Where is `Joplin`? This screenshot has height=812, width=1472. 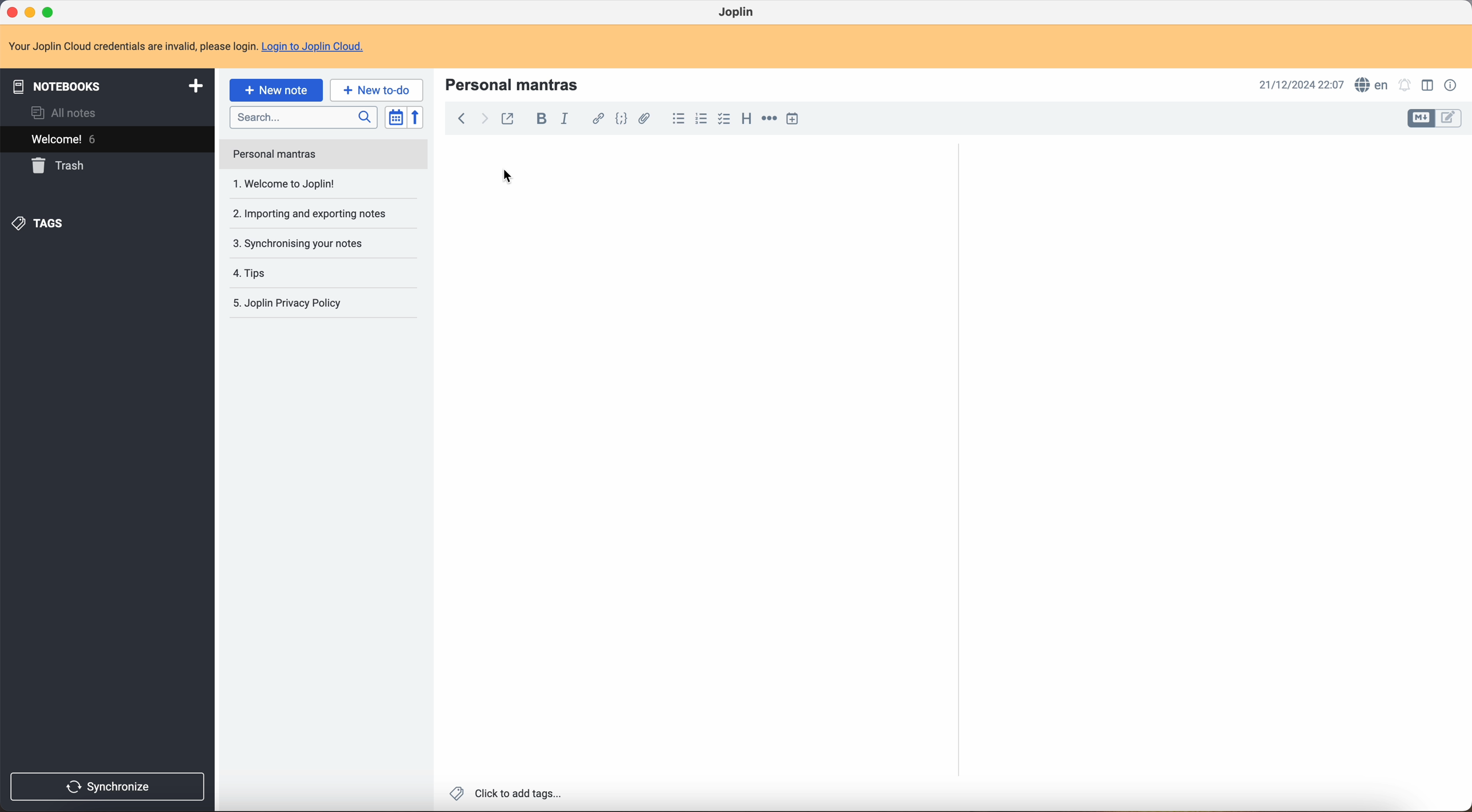
Joplin is located at coordinates (738, 11).